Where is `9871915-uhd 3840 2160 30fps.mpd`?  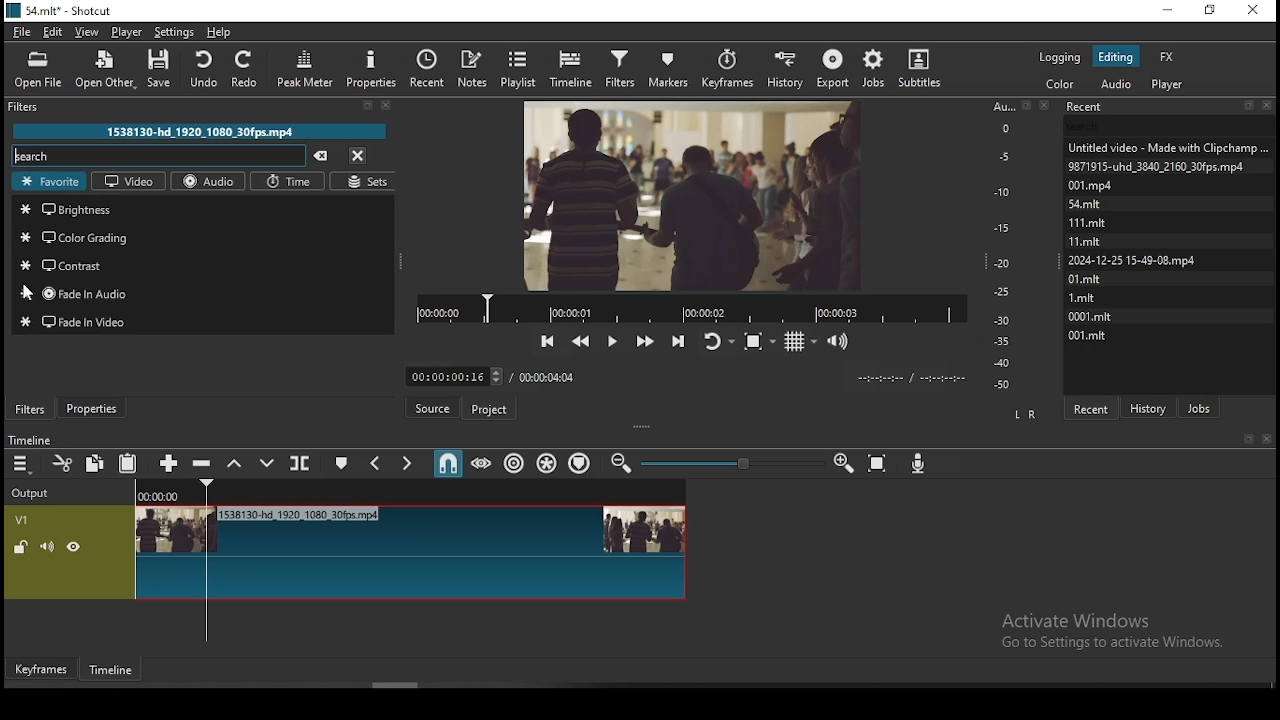 9871915-uhd 3840 2160 30fps.mpd is located at coordinates (1160, 166).